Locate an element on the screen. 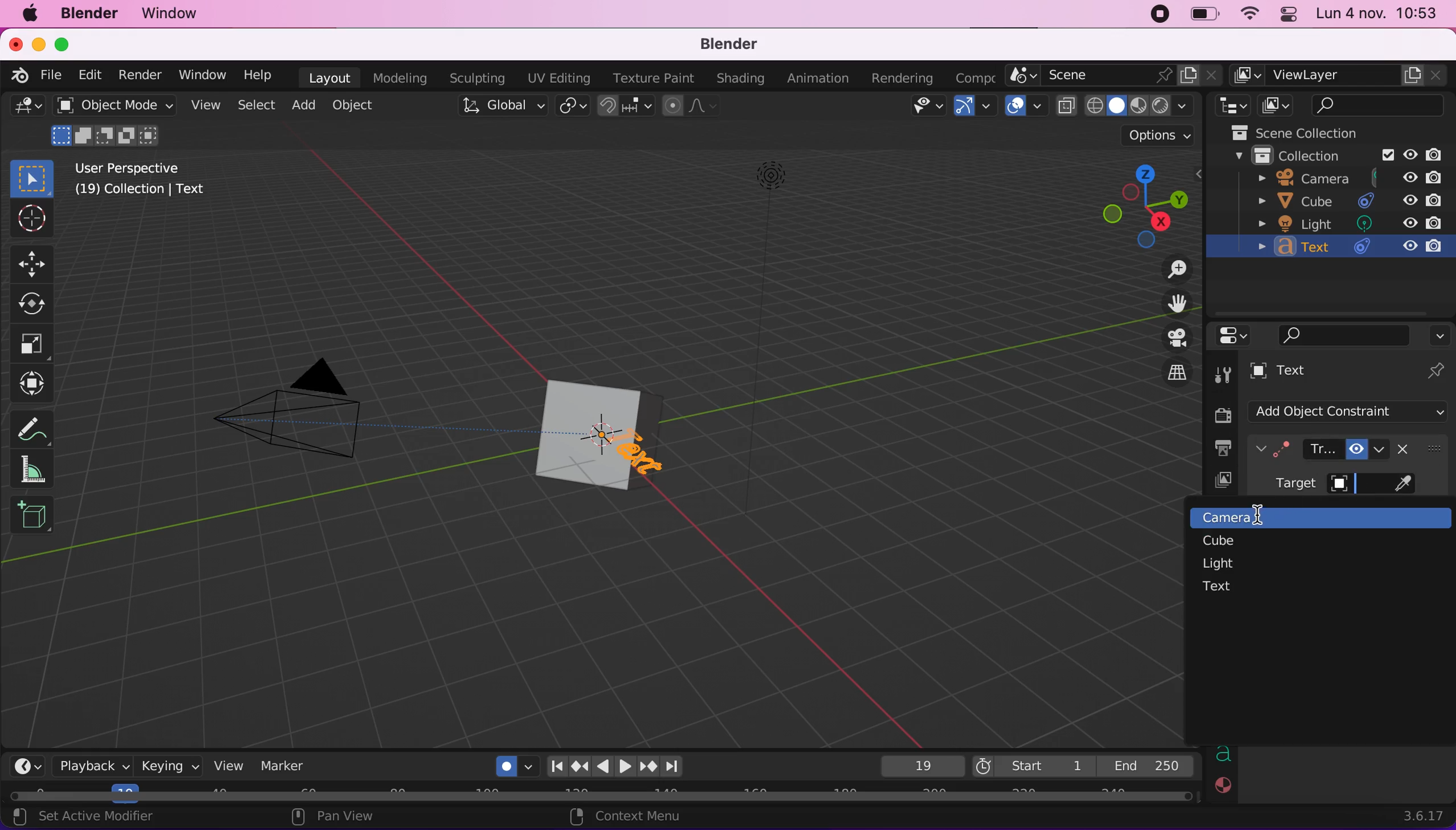  move is located at coordinates (39, 263).